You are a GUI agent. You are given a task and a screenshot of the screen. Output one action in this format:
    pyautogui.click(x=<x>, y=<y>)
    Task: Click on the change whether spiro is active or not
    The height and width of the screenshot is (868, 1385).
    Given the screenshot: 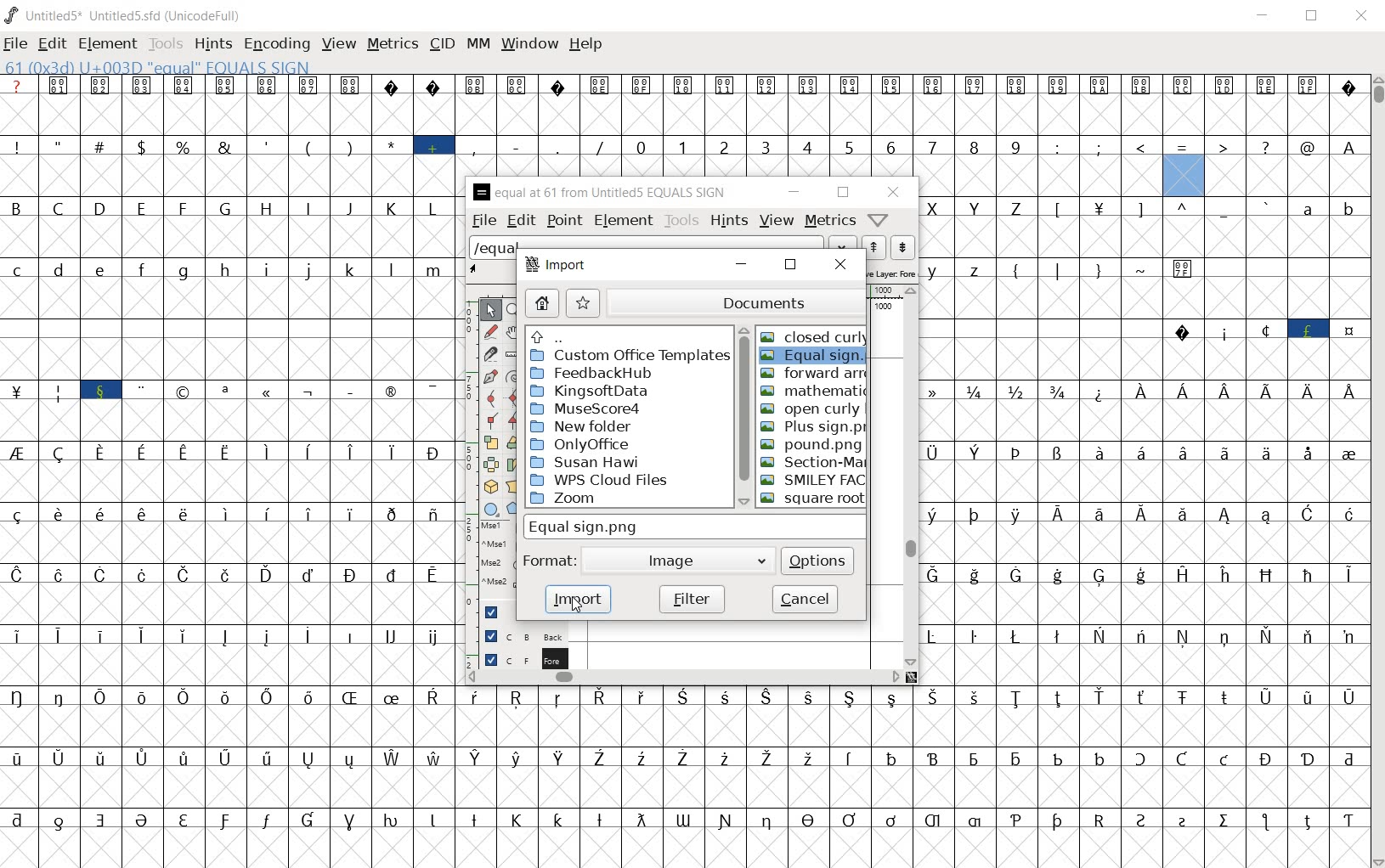 What is the action you would take?
    pyautogui.click(x=513, y=376)
    